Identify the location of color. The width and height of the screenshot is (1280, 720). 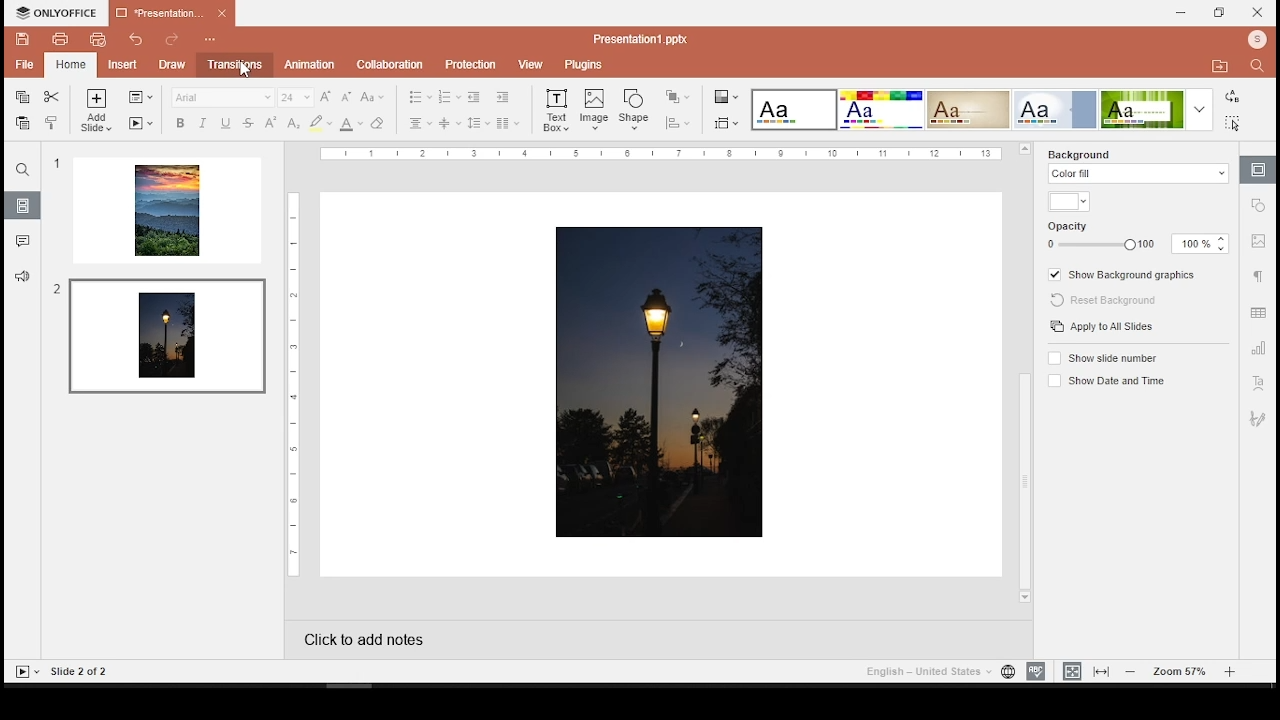
(1068, 201).